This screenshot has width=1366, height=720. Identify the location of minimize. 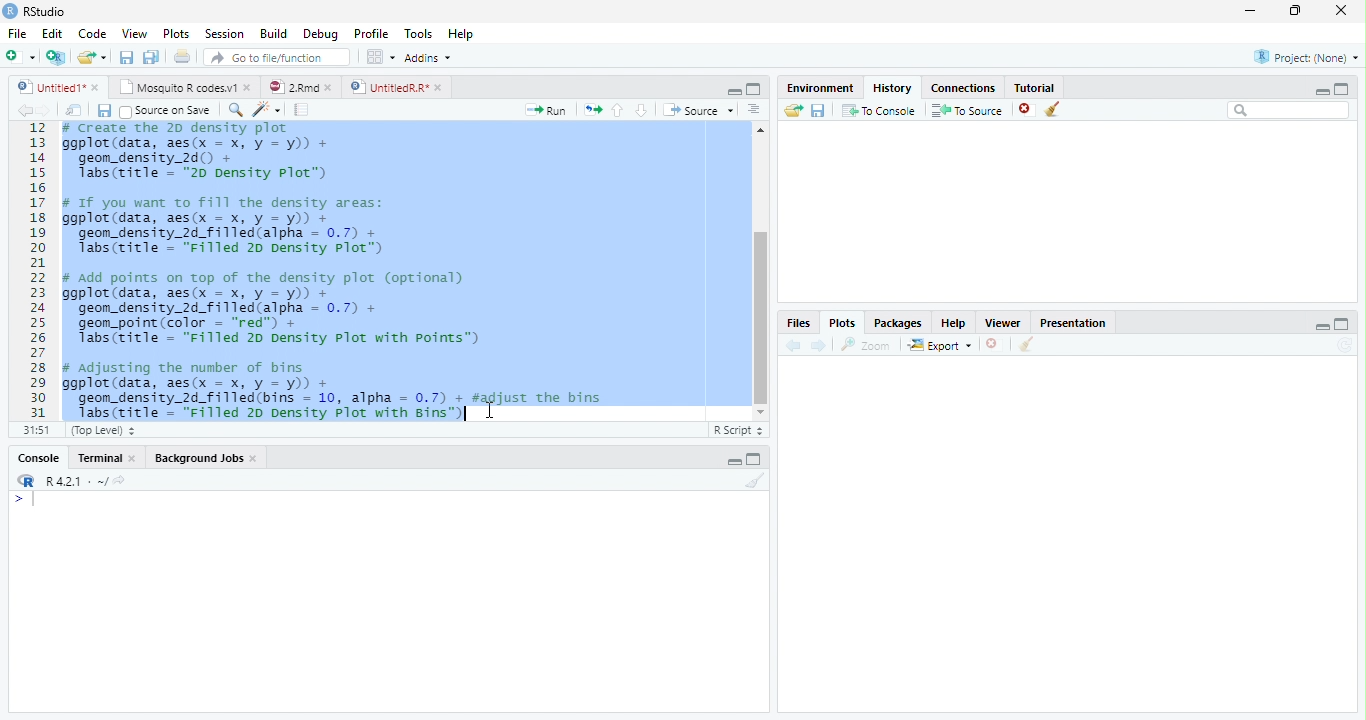
(1319, 91).